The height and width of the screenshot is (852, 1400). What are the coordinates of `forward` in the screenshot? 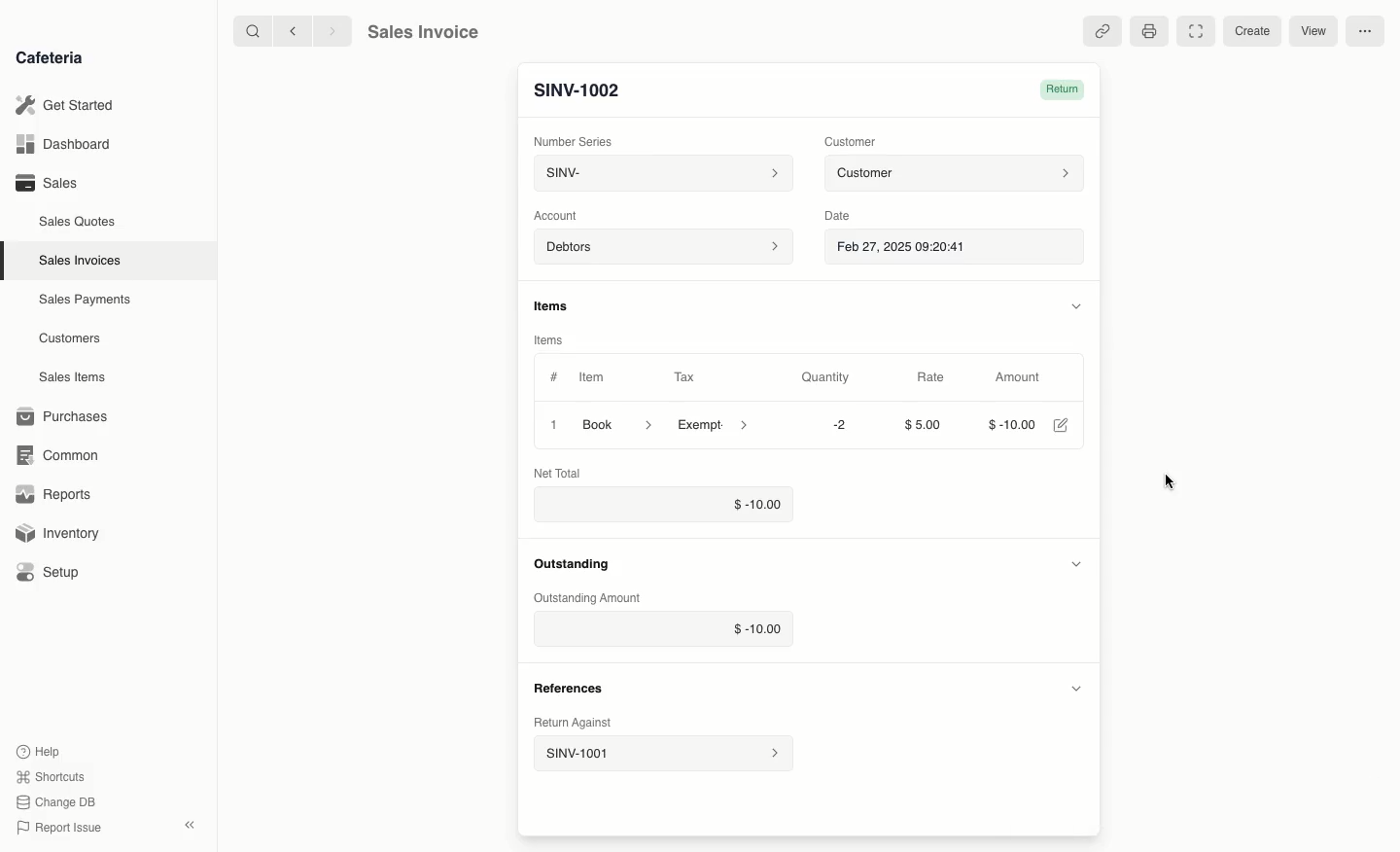 It's located at (334, 31).